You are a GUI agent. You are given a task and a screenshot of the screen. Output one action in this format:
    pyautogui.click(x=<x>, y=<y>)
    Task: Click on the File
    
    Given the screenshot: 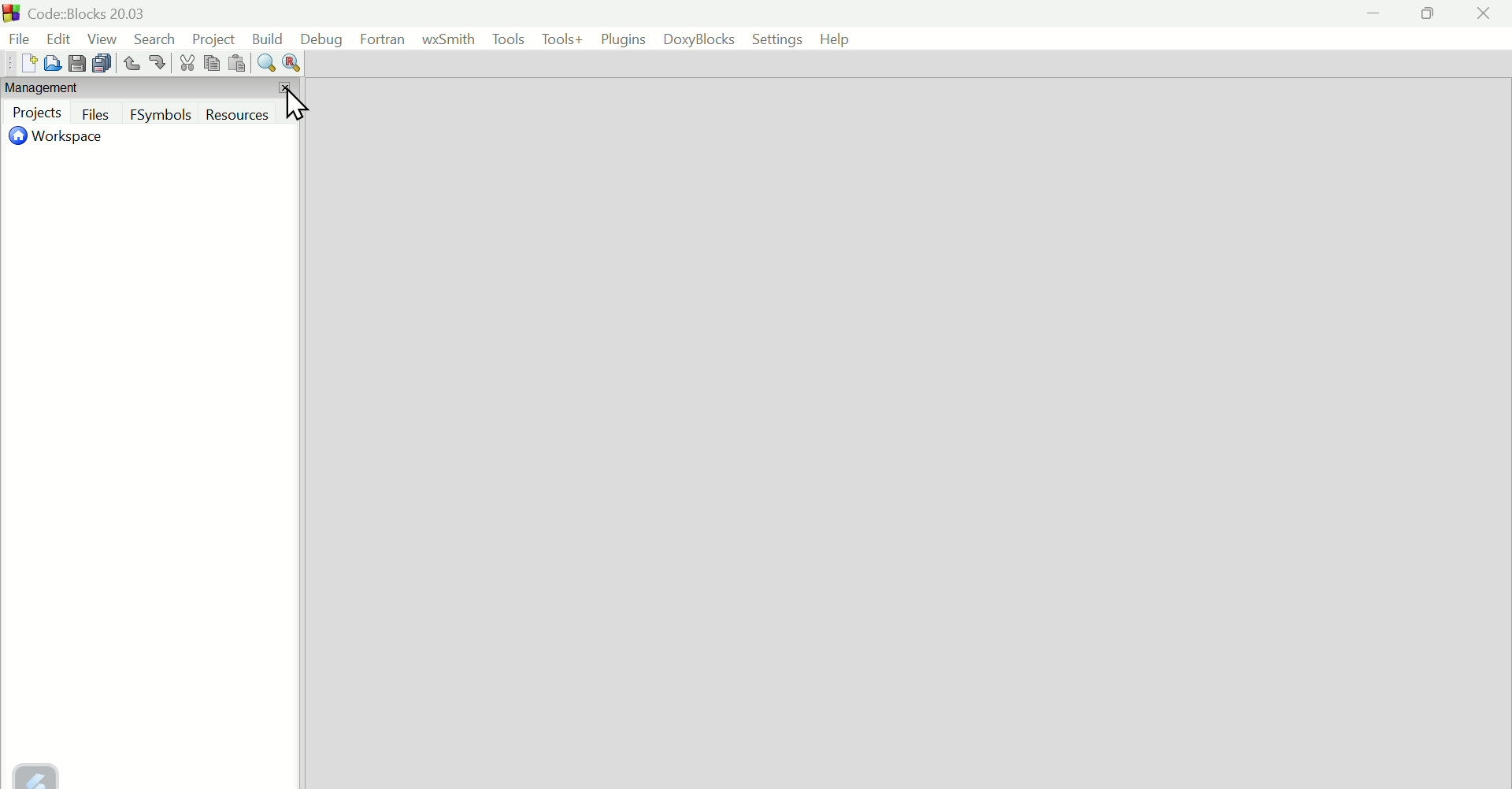 What is the action you would take?
    pyautogui.click(x=18, y=39)
    